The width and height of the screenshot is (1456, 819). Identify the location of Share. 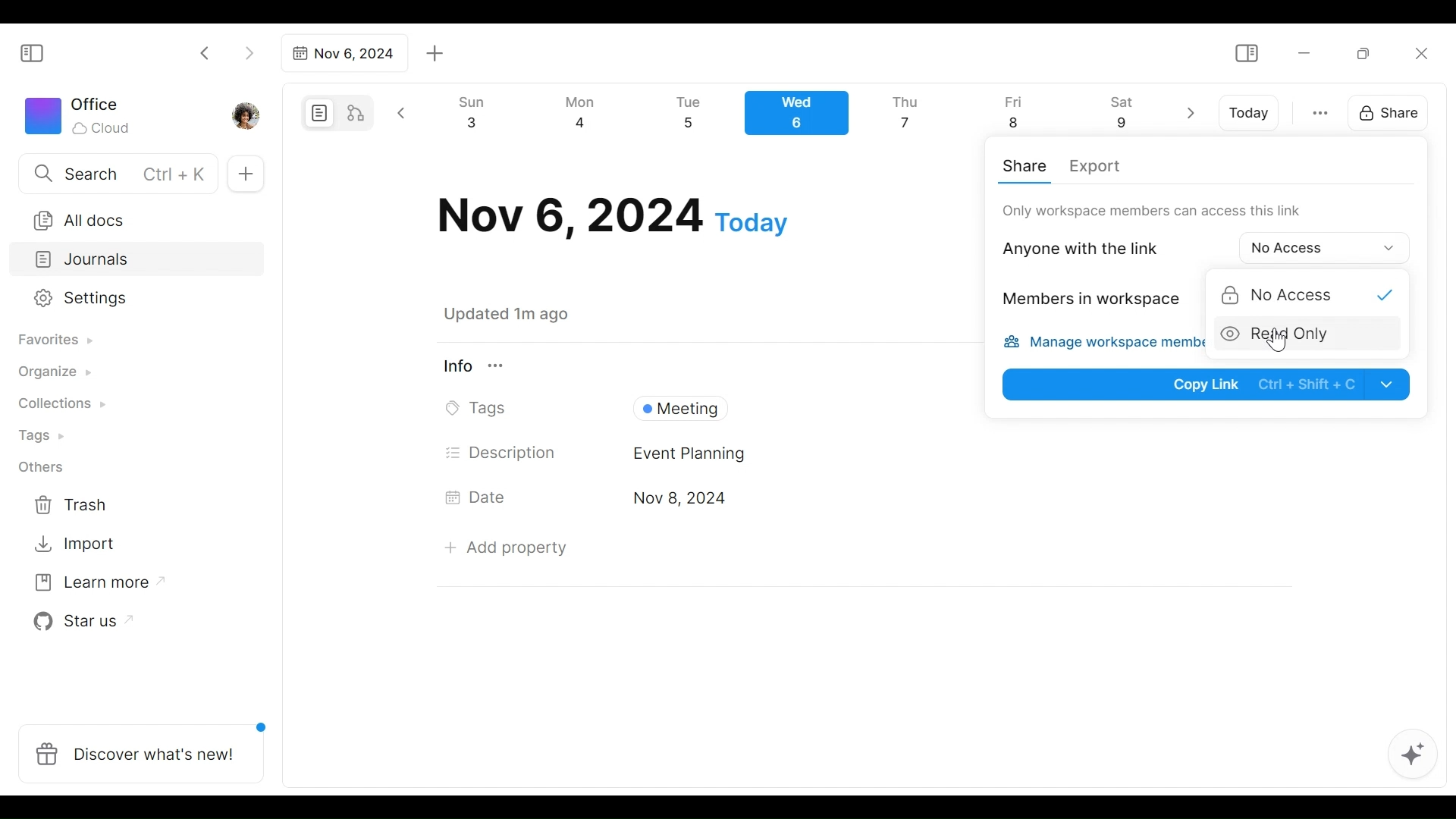
(1384, 111).